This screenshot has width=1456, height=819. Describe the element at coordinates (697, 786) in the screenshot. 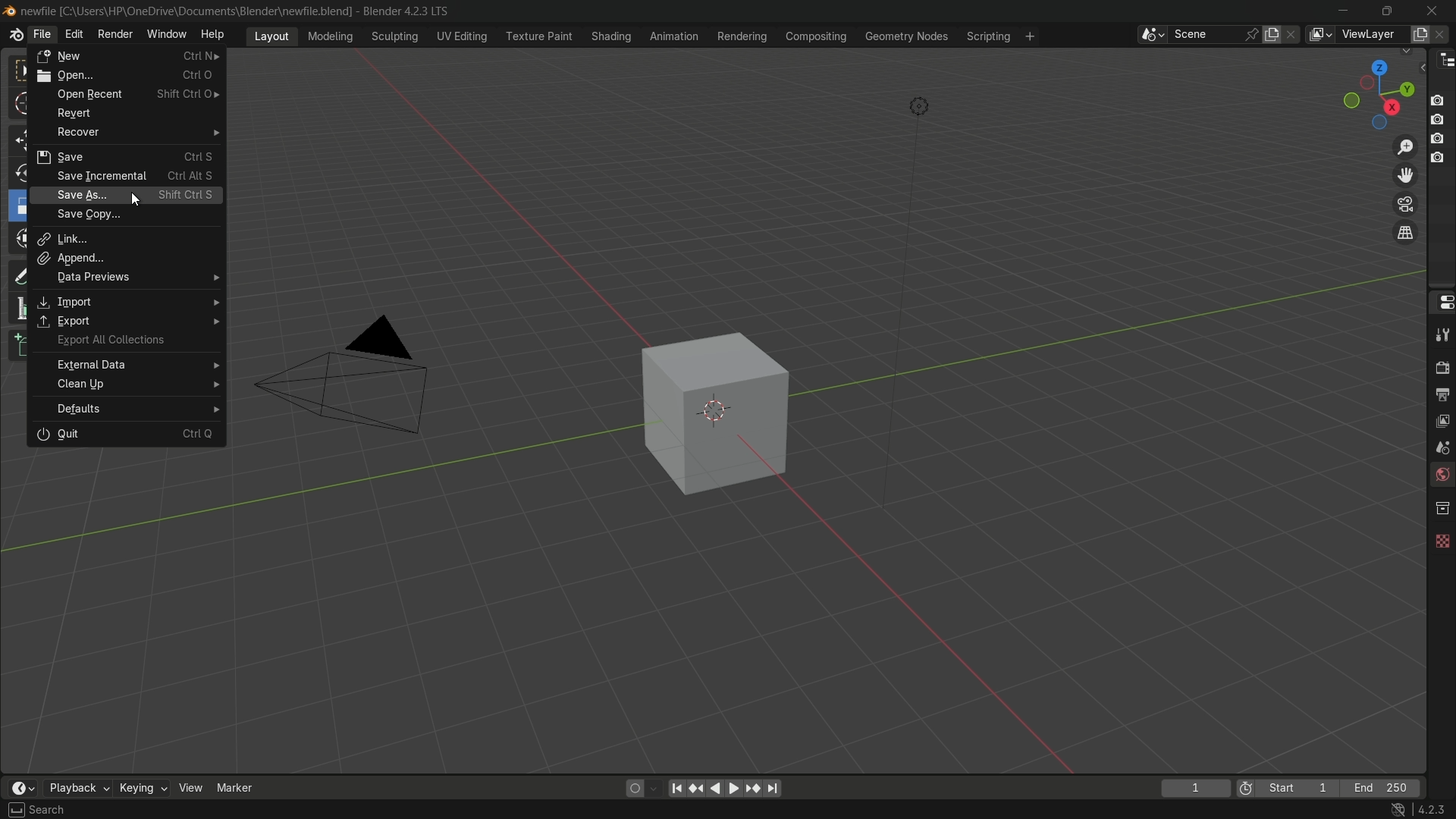

I see `jump to keyframe` at that location.